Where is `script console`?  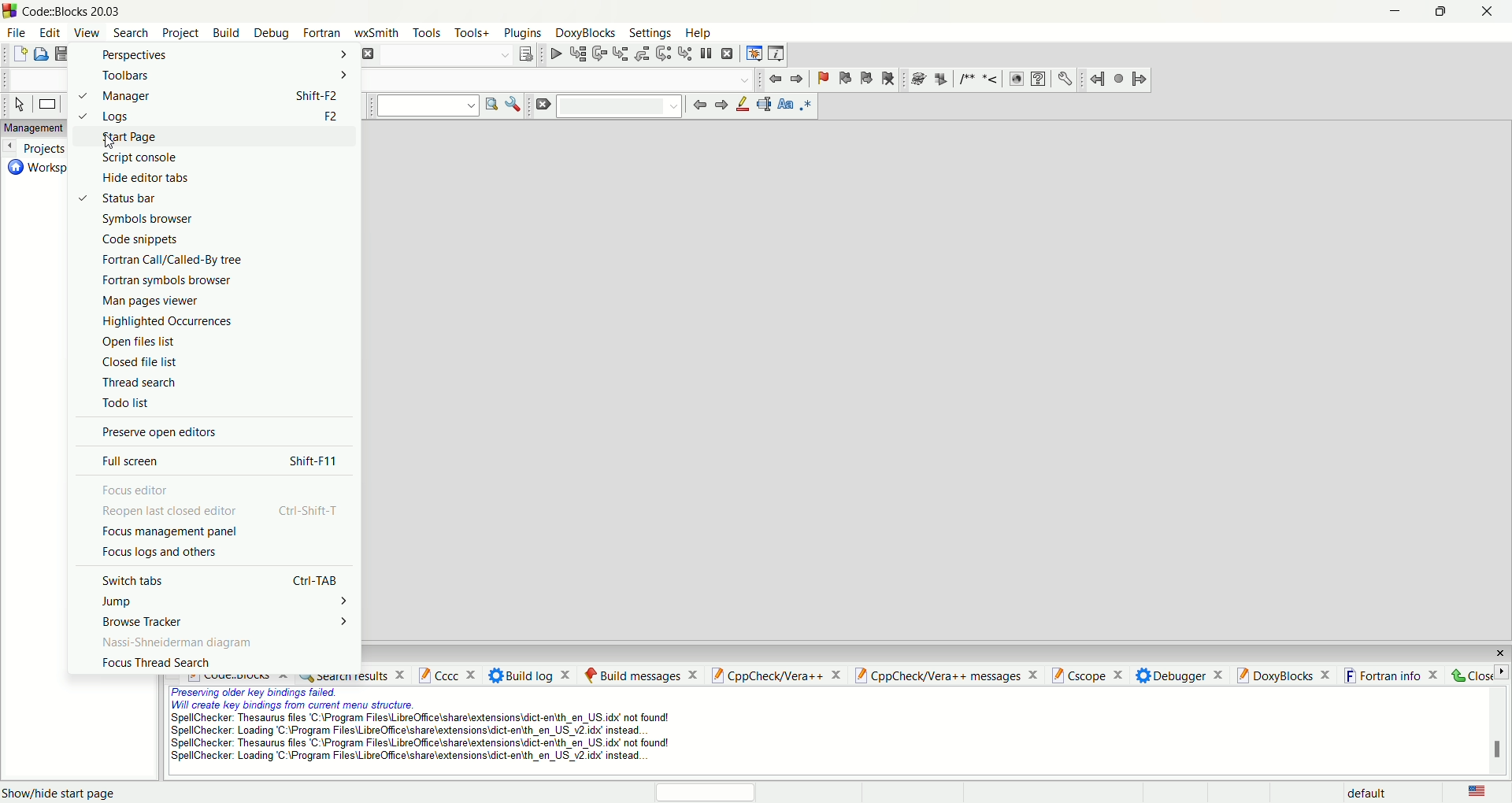
script console is located at coordinates (140, 158).